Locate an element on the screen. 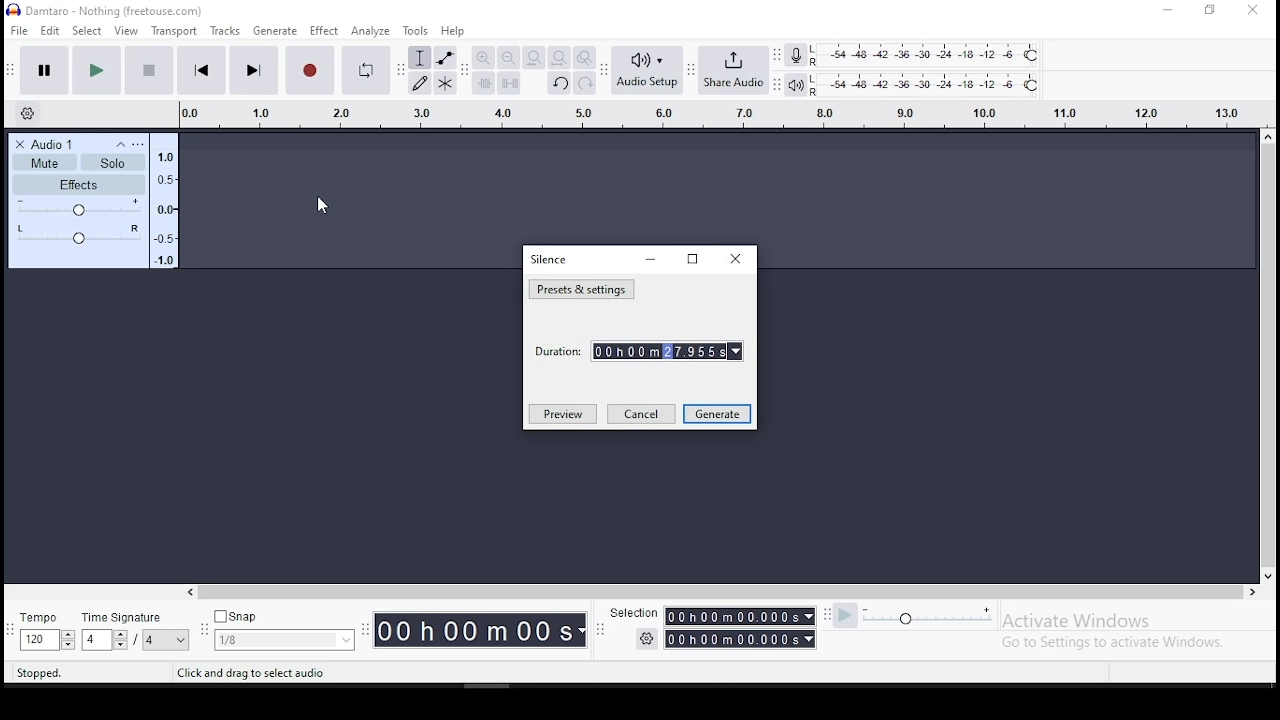 This screenshot has height=720, width=1280. skip to start is located at coordinates (201, 71).